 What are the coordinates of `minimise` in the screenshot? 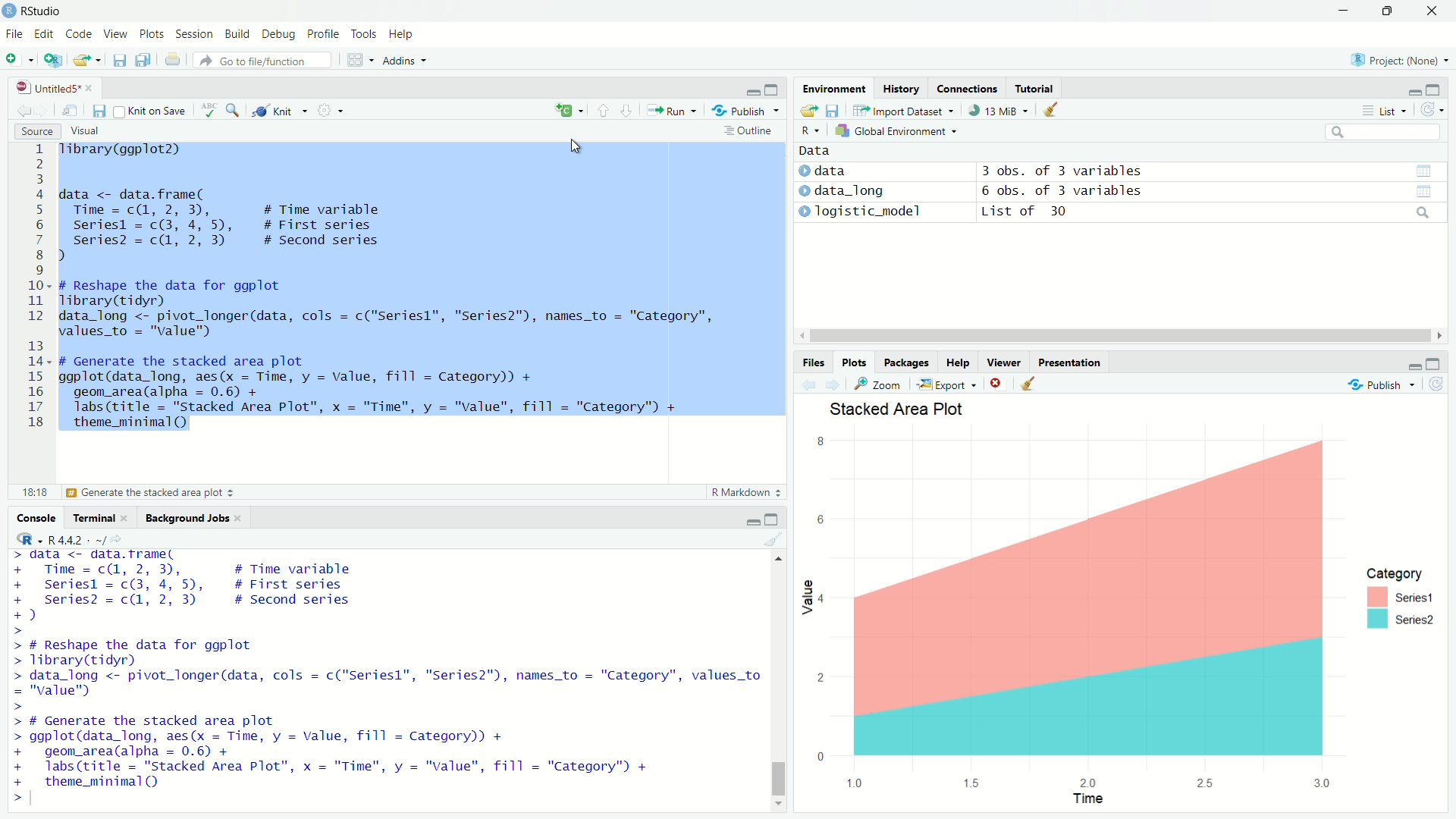 It's located at (743, 87).